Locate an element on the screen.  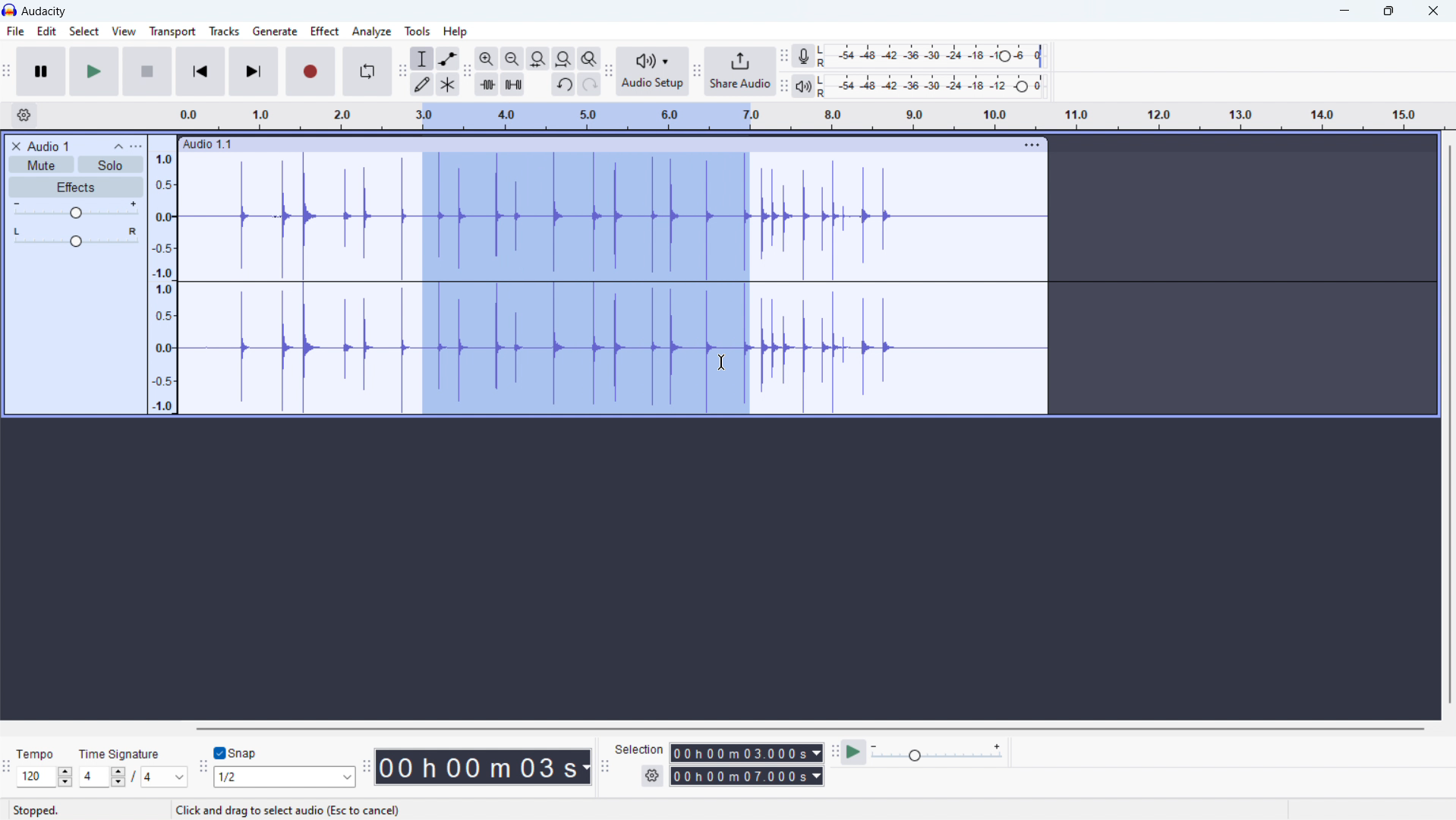
stop is located at coordinates (148, 71).